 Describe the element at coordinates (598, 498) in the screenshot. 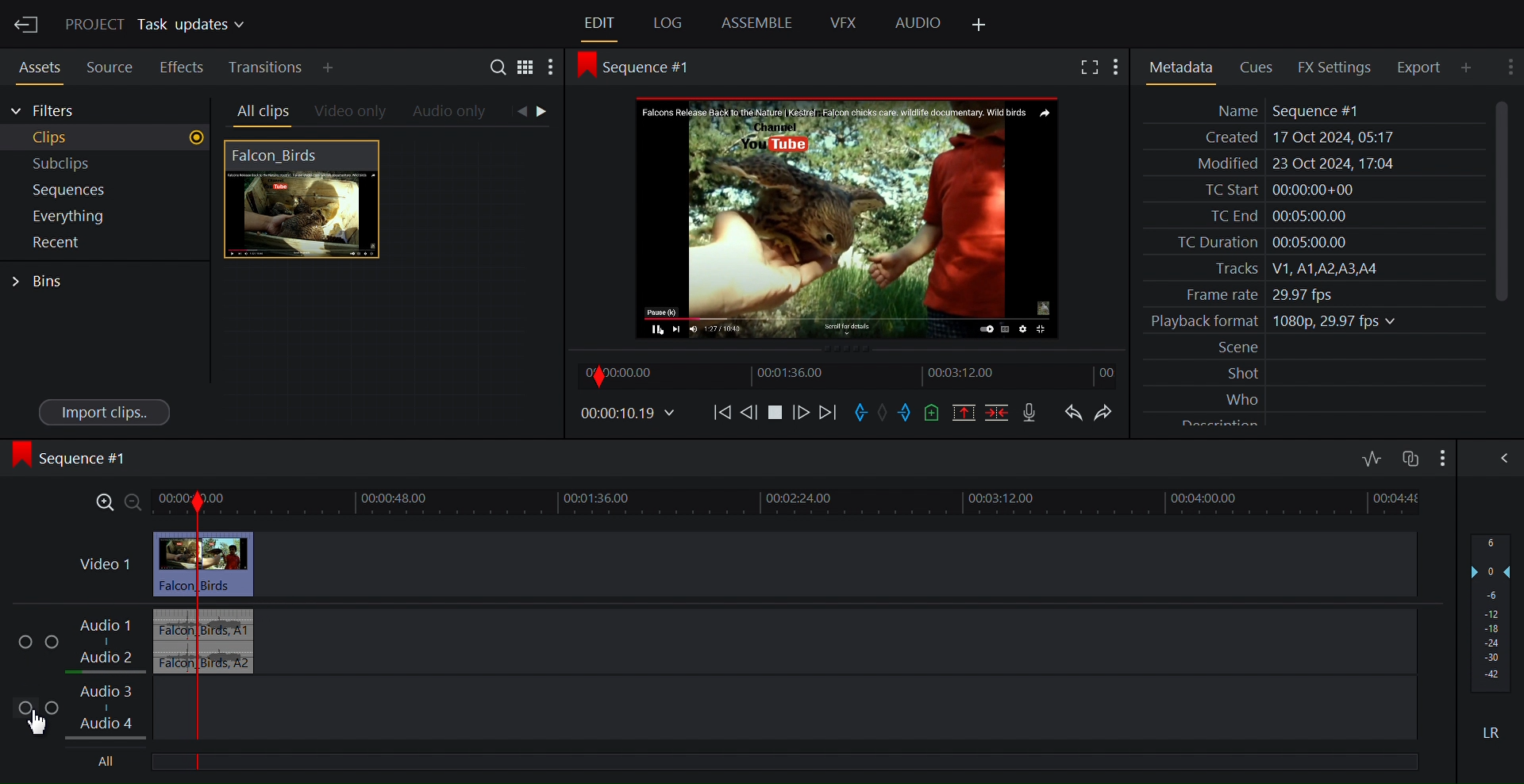

I see `| 00:01:36.00` at that location.